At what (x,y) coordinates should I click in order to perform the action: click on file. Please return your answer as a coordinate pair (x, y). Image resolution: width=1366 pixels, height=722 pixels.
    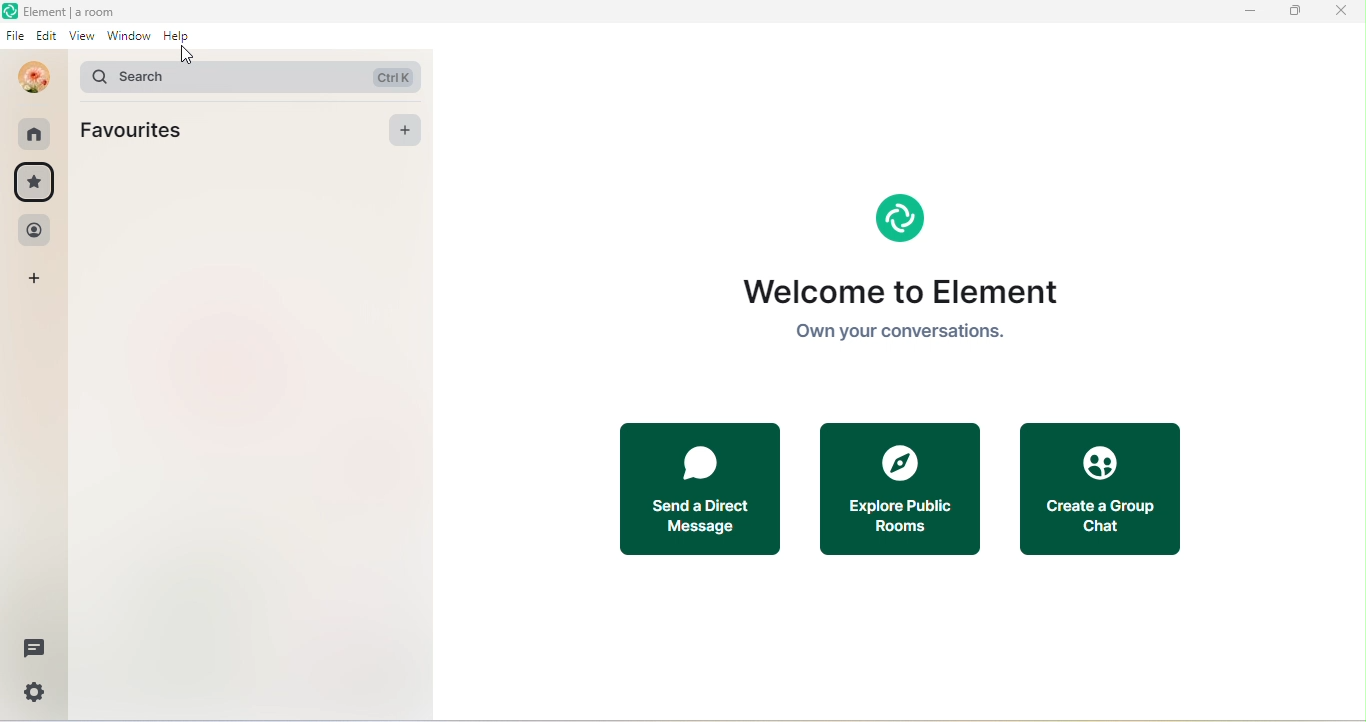
    Looking at the image, I should click on (16, 35).